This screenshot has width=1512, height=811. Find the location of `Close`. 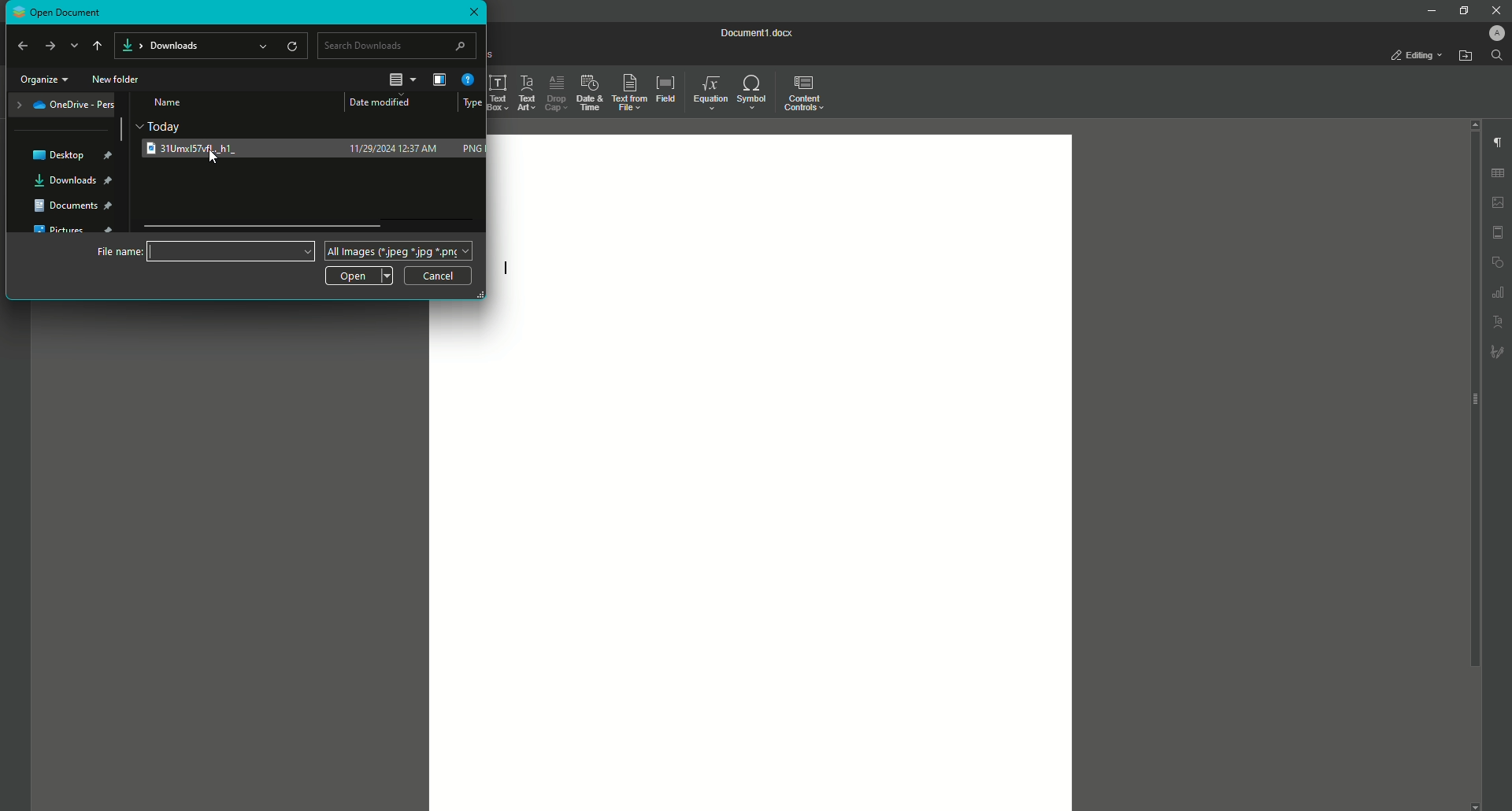

Close is located at coordinates (476, 13).